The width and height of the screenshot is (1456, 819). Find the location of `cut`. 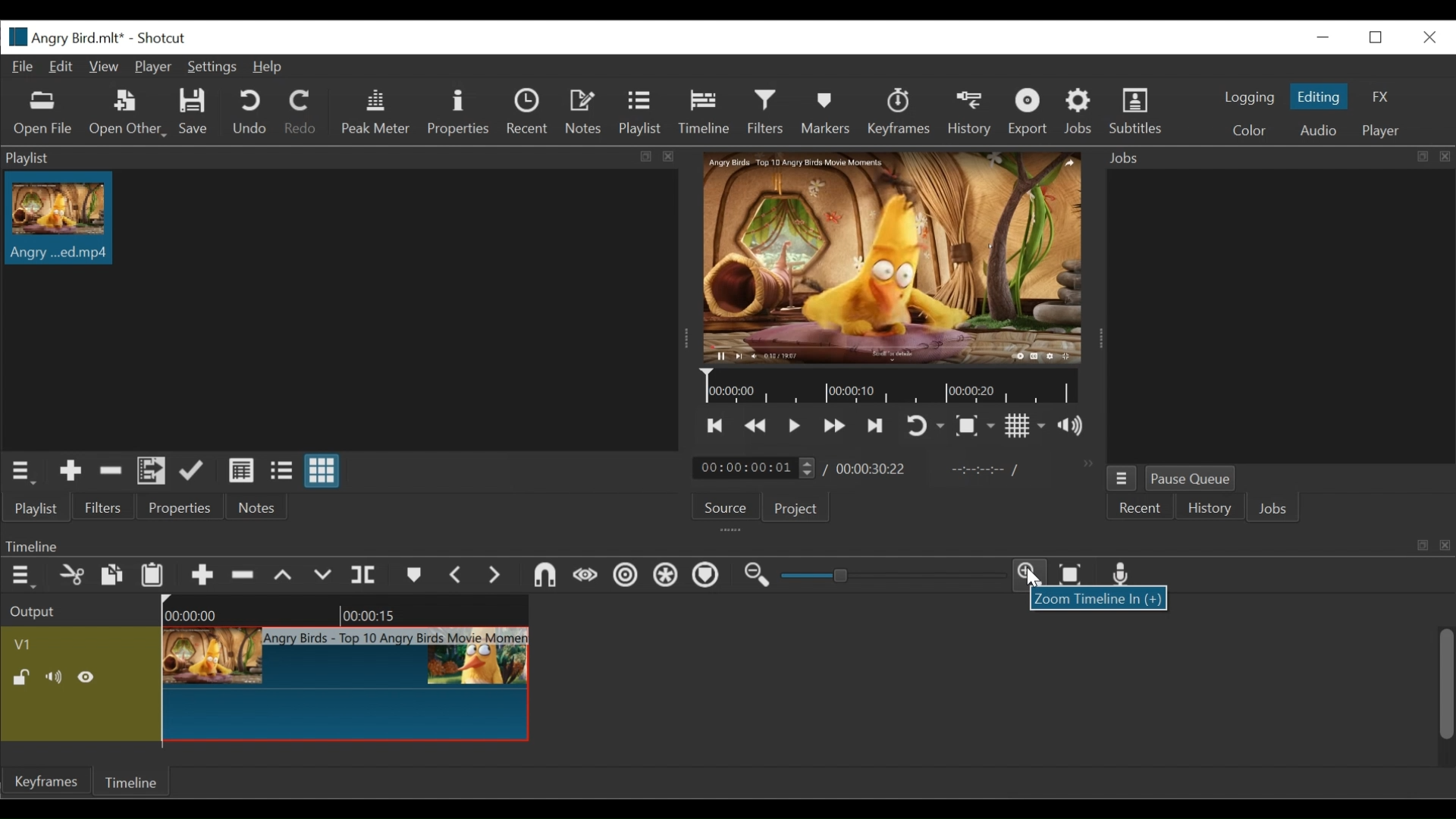

cut is located at coordinates (71, 576).